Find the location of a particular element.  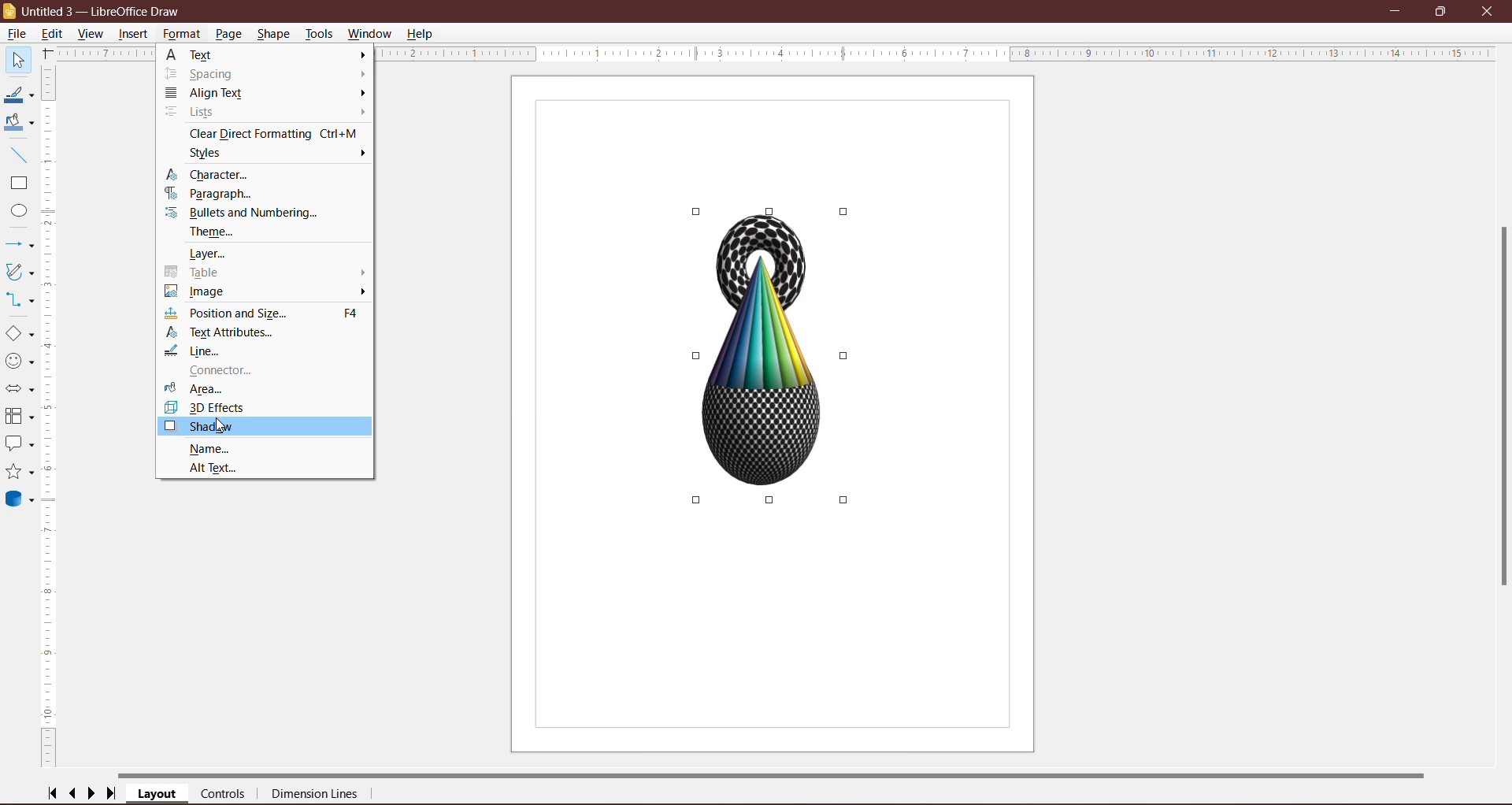

Bullets and Numbering is located at coordinates (250, 214).